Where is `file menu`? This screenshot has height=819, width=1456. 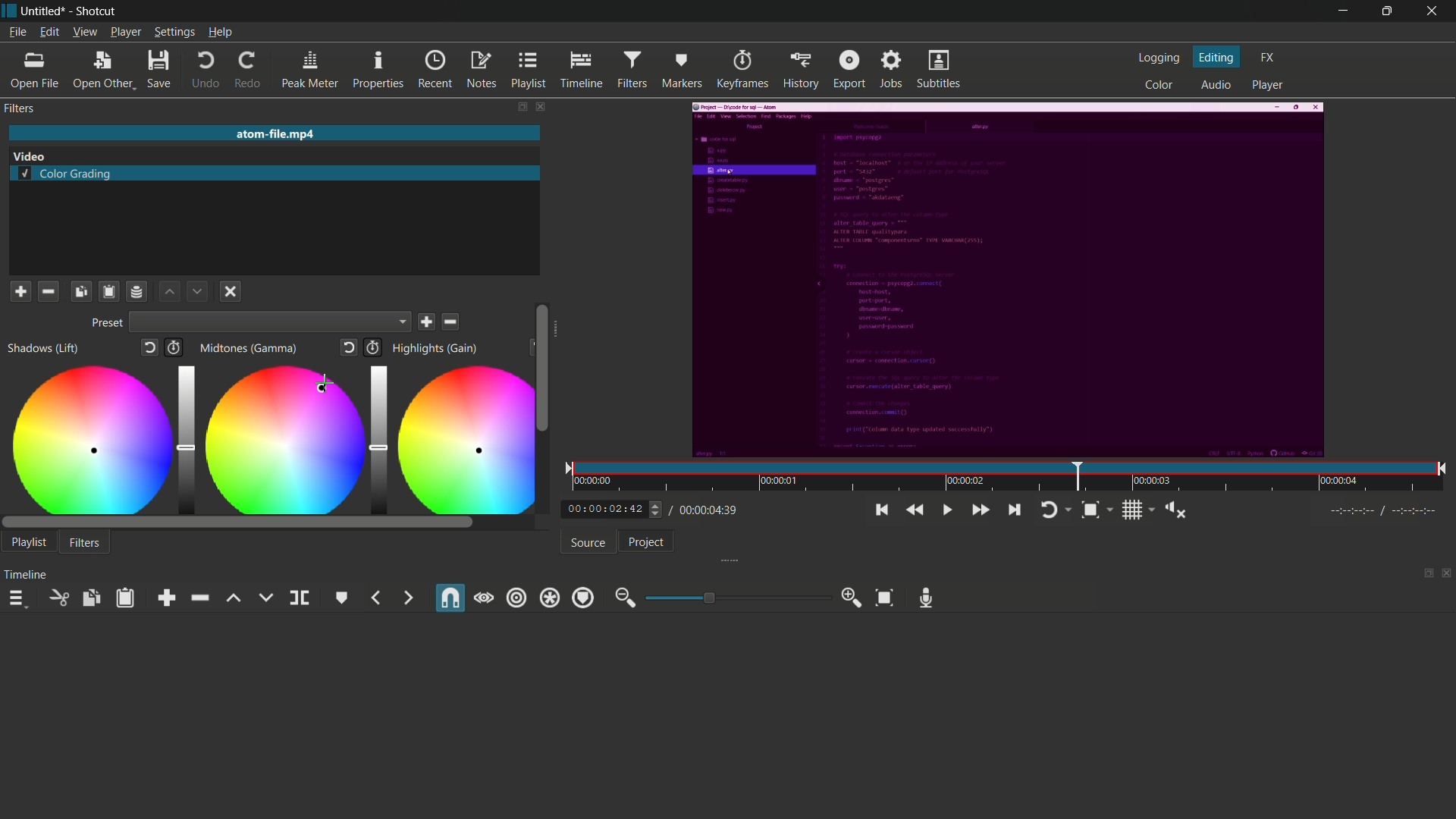 file menu is located at coordinates (20, 33).